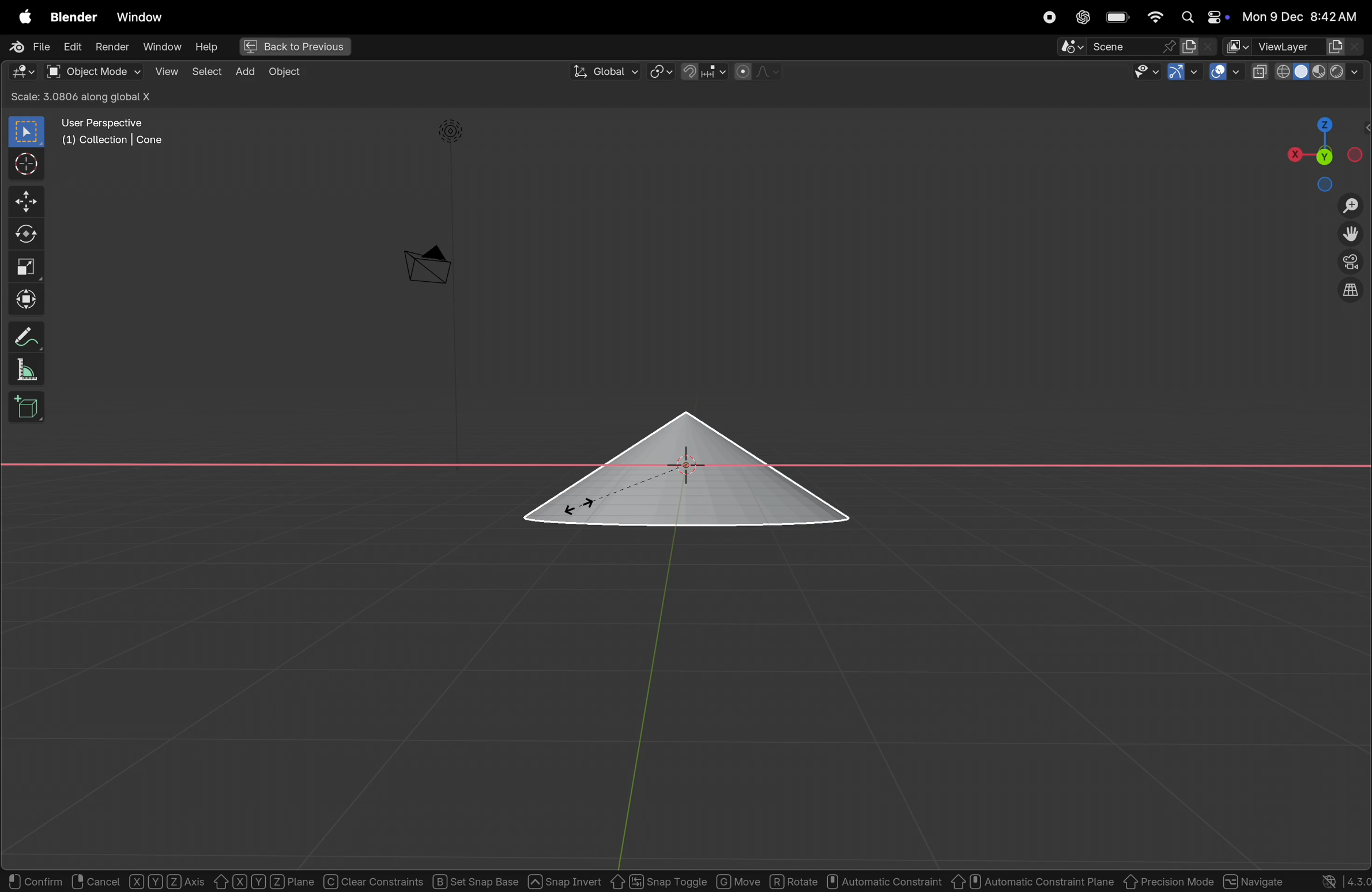 This screenshot has width=1372, height=892. What do you see at coordinates (207, 73) in the screenshot?
I see `select` at bounding box center [207, 73].